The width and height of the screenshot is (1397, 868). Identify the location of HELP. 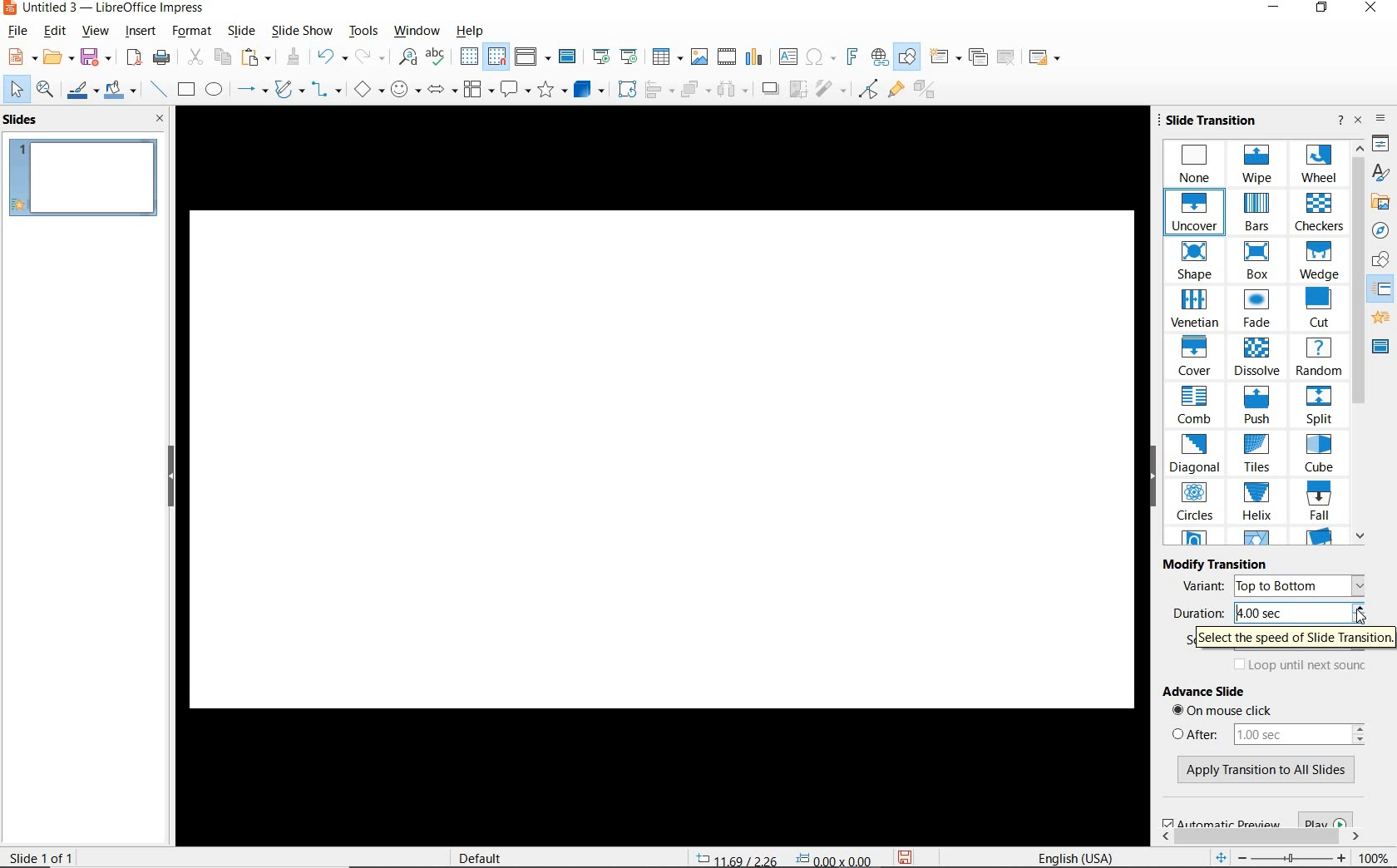
(470, 31).